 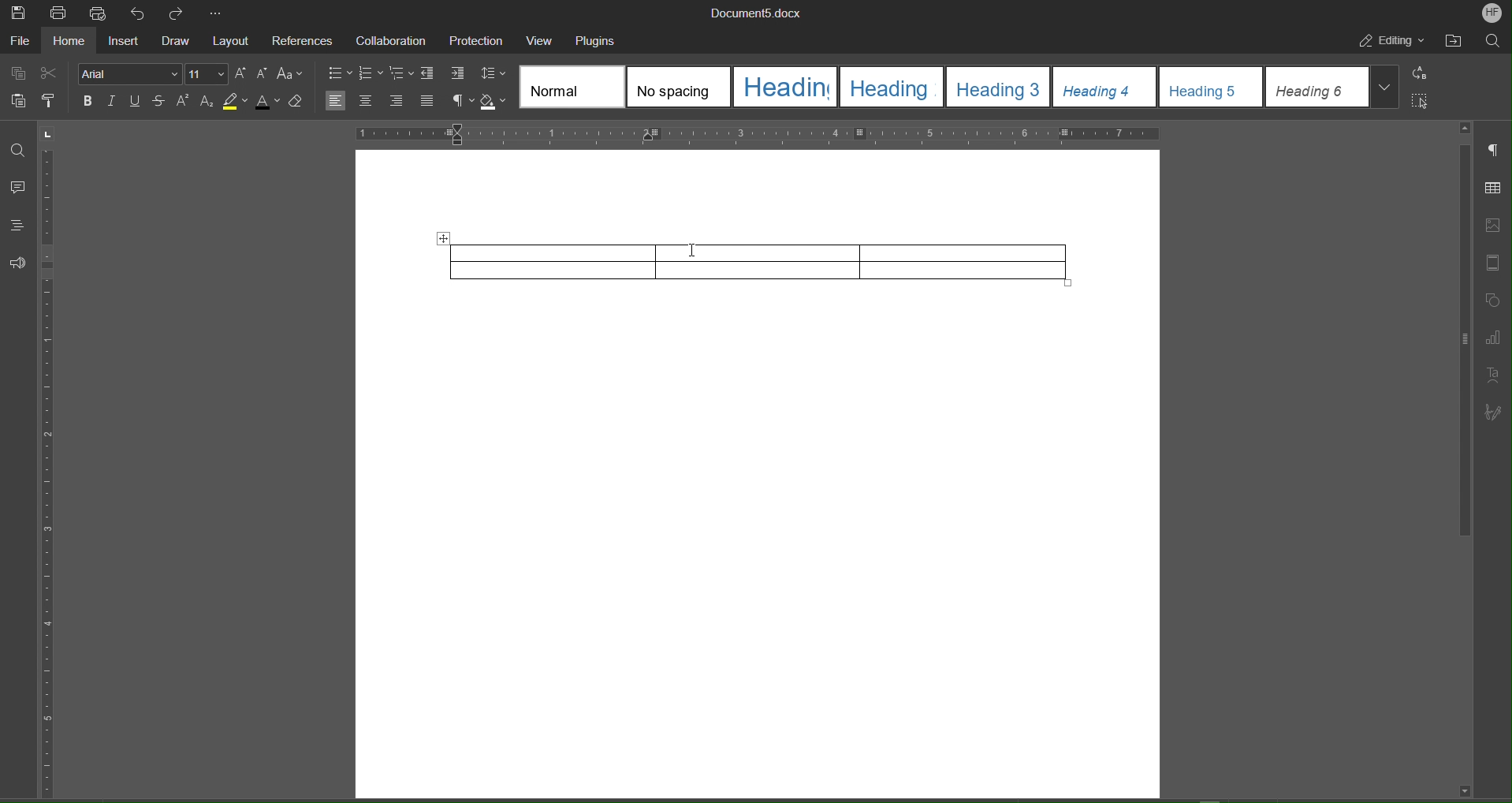 I want to click on Nonprinting characters, so click(x=462, y=102).